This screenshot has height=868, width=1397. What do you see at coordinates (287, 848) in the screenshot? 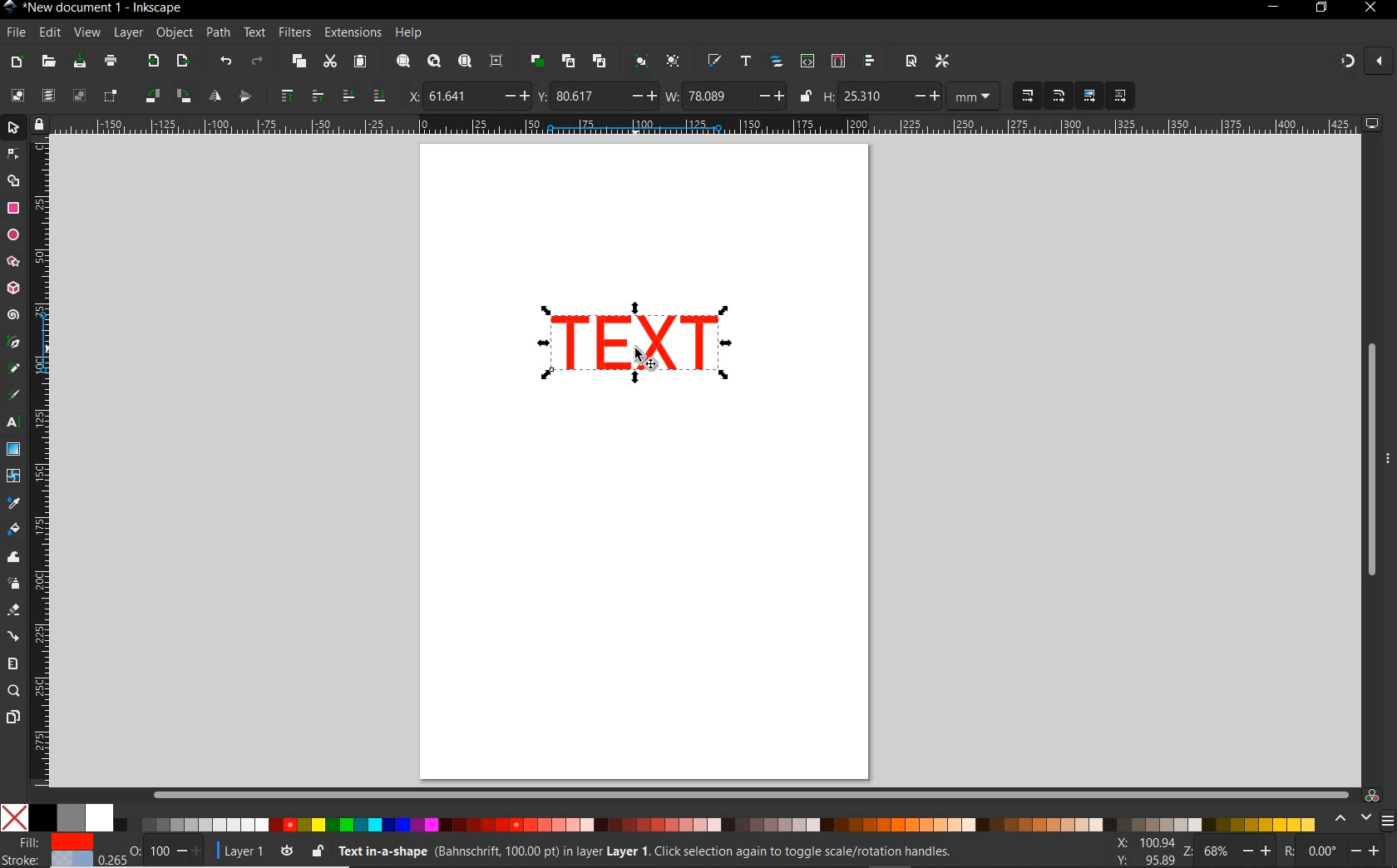
I see `toggle current layer visibility` at bounding box center [287, 848].